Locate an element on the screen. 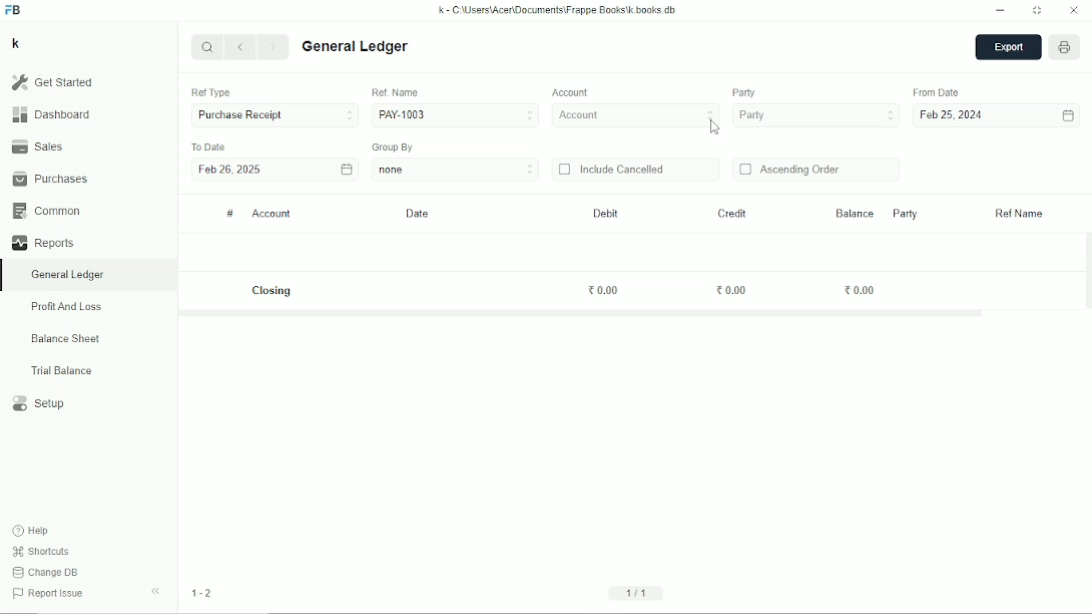 This screenshot has height=614, width=1092. Help is located at coordinates (33, 531).